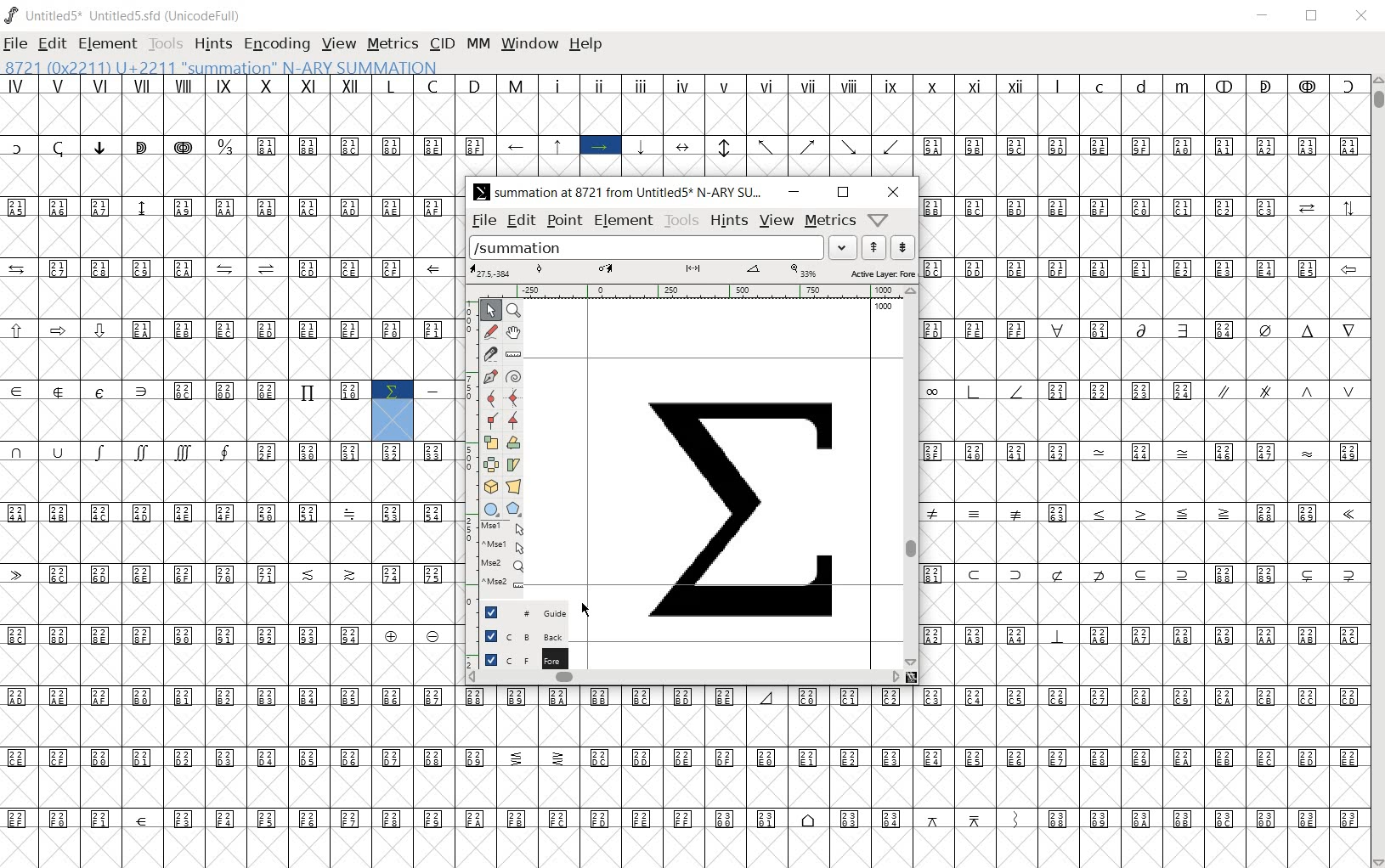 This screenshot has height=868, width=1385. What do you see at coordinates (339, 43) in the screenshot?
I see `VIEW` at bounding box center [339, 43].